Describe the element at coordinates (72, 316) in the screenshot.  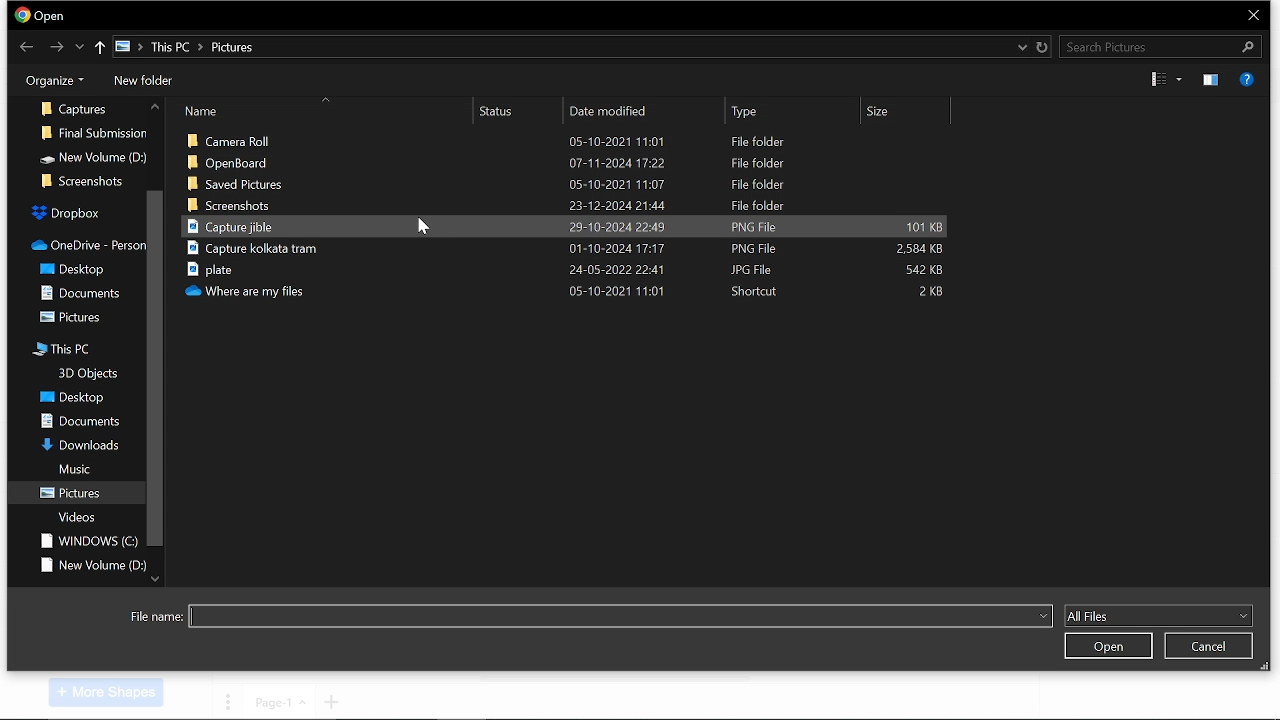
I see `folders` at that location.